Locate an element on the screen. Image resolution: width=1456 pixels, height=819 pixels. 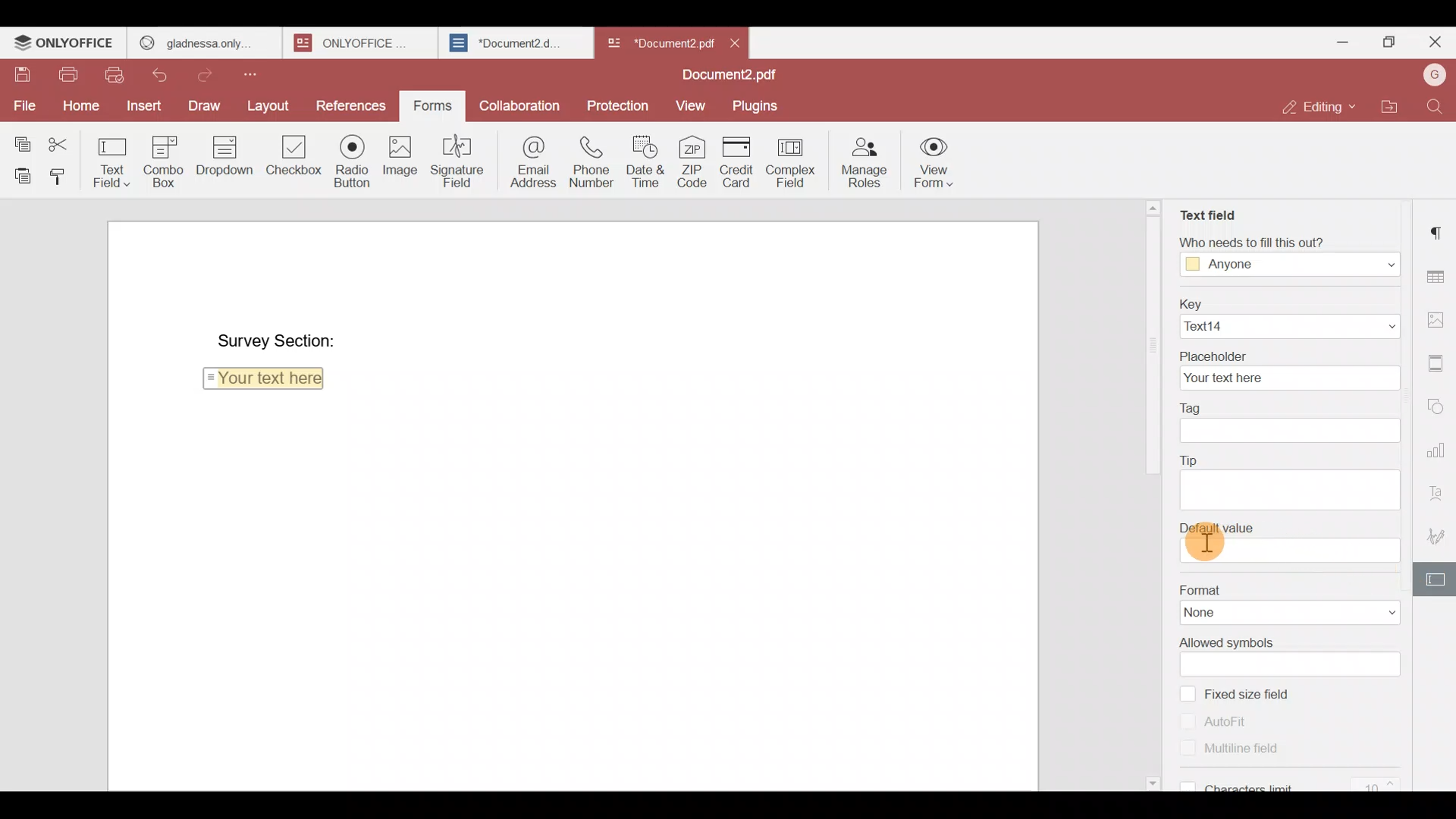
References is located at coordinates (350, 102).